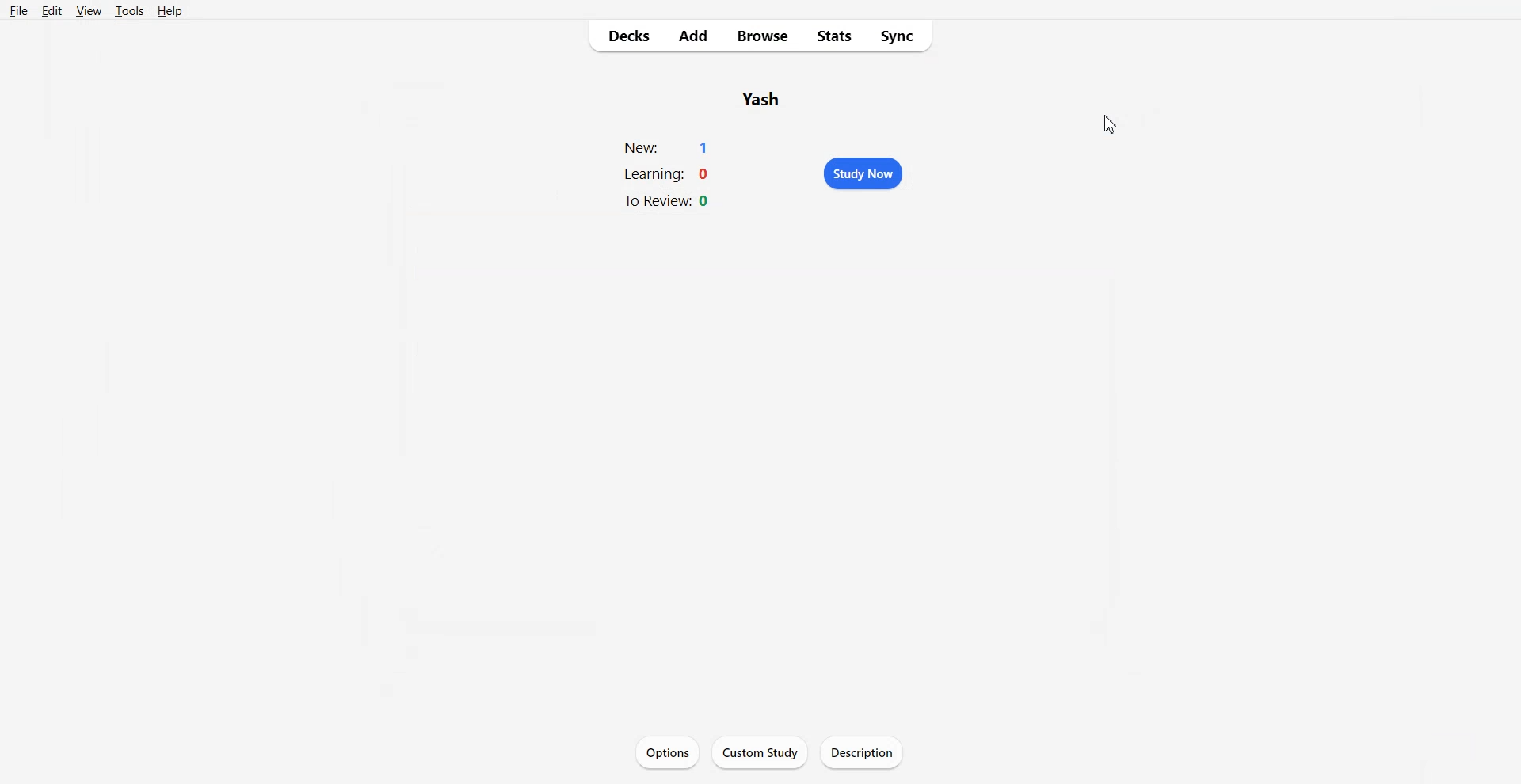 Image resolution: width=1521 pixels, height=784 pixels. I want to click on Study Now, so click(866, 175).